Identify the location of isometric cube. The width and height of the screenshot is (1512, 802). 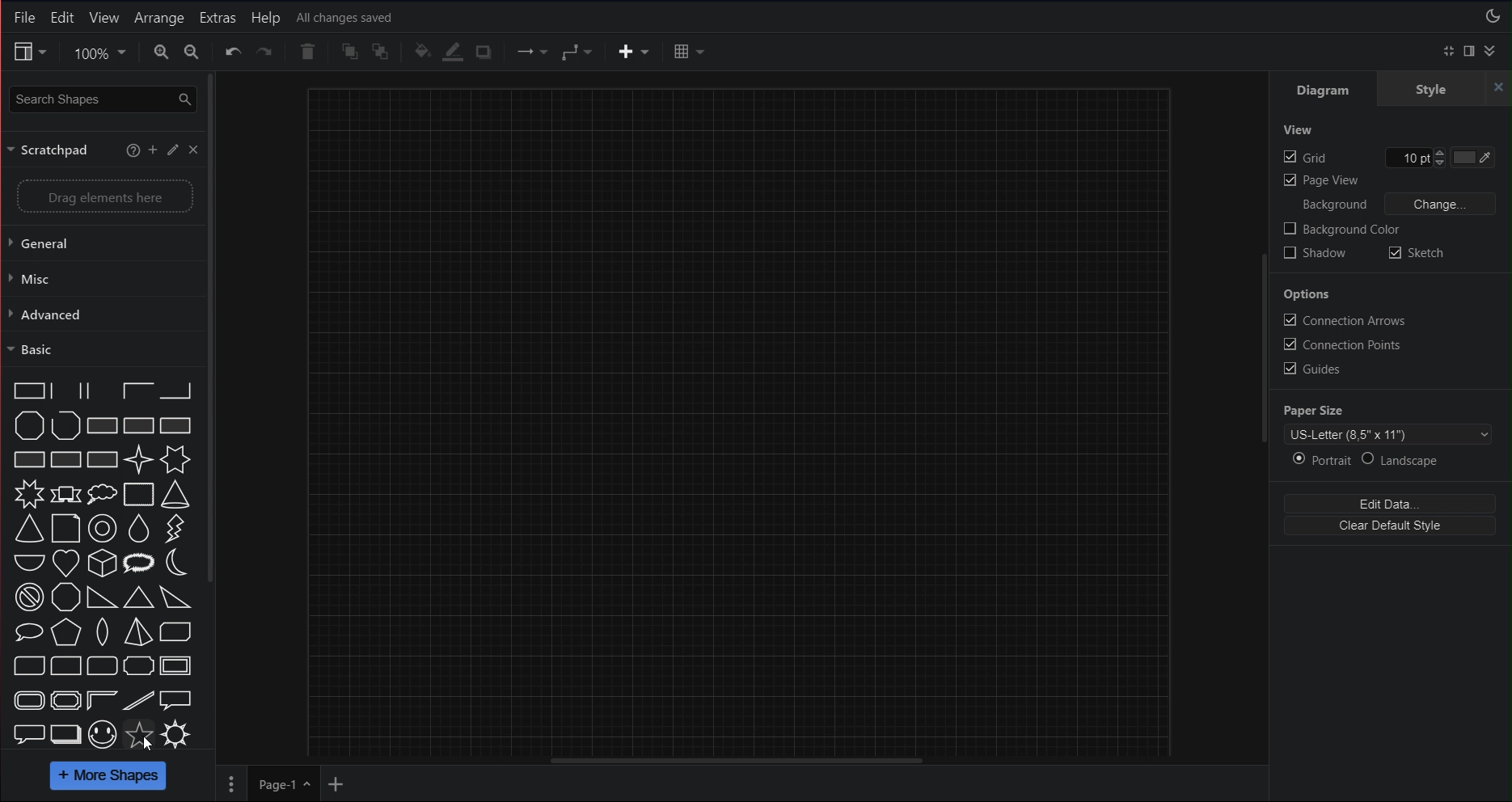
(103, 564).